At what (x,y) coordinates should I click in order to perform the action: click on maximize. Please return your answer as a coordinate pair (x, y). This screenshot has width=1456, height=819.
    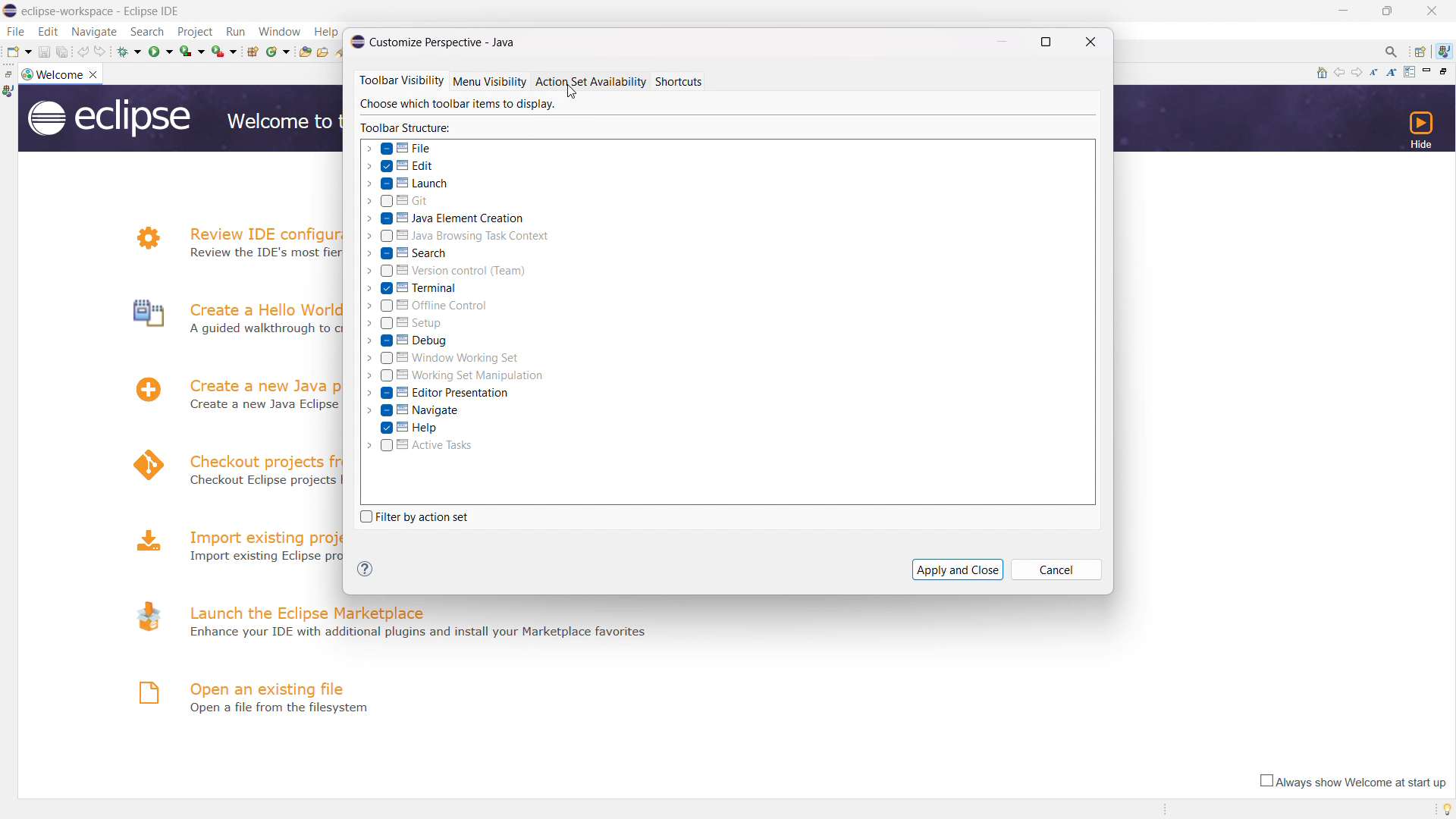
    Looking at the image, I should click on (1389, 11).